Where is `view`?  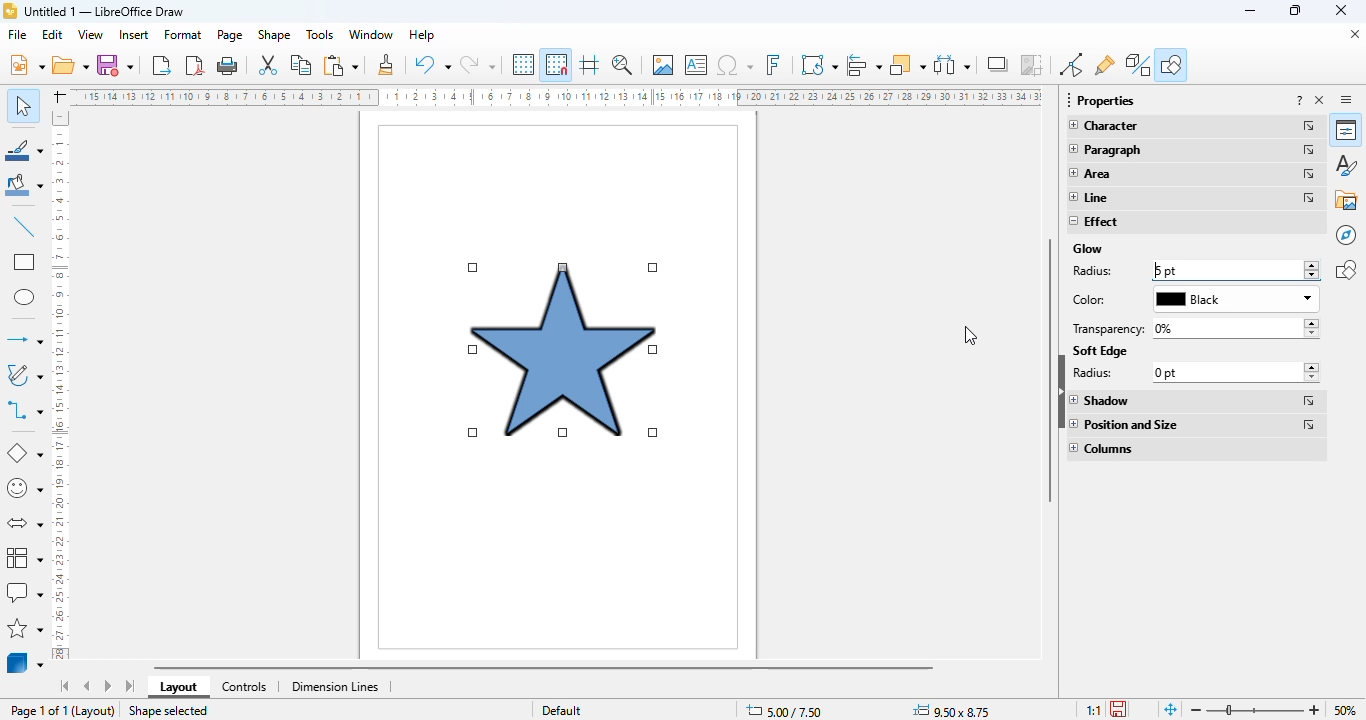
view is located at coordinates (90, 35).